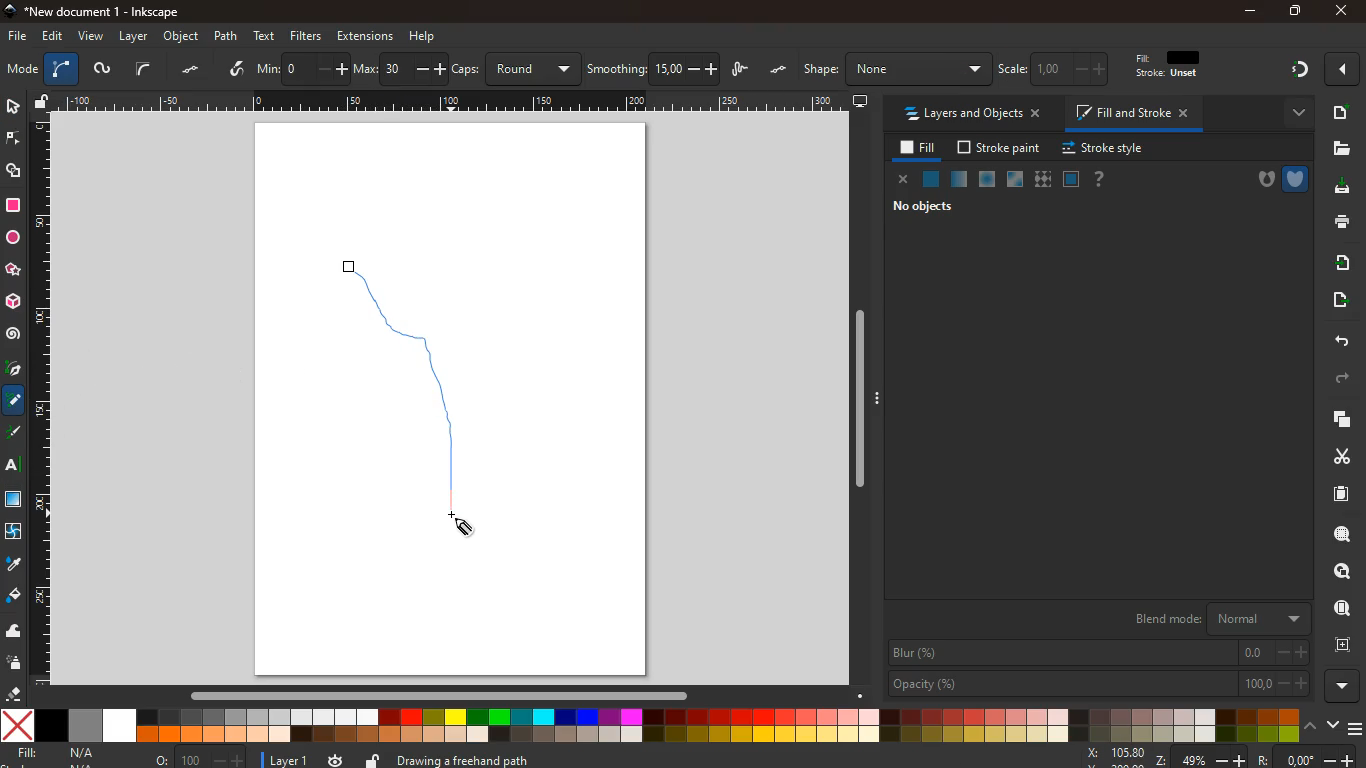  Describe the element at coordinates (1097, 179) in the screenshot. I see `help` at that location.